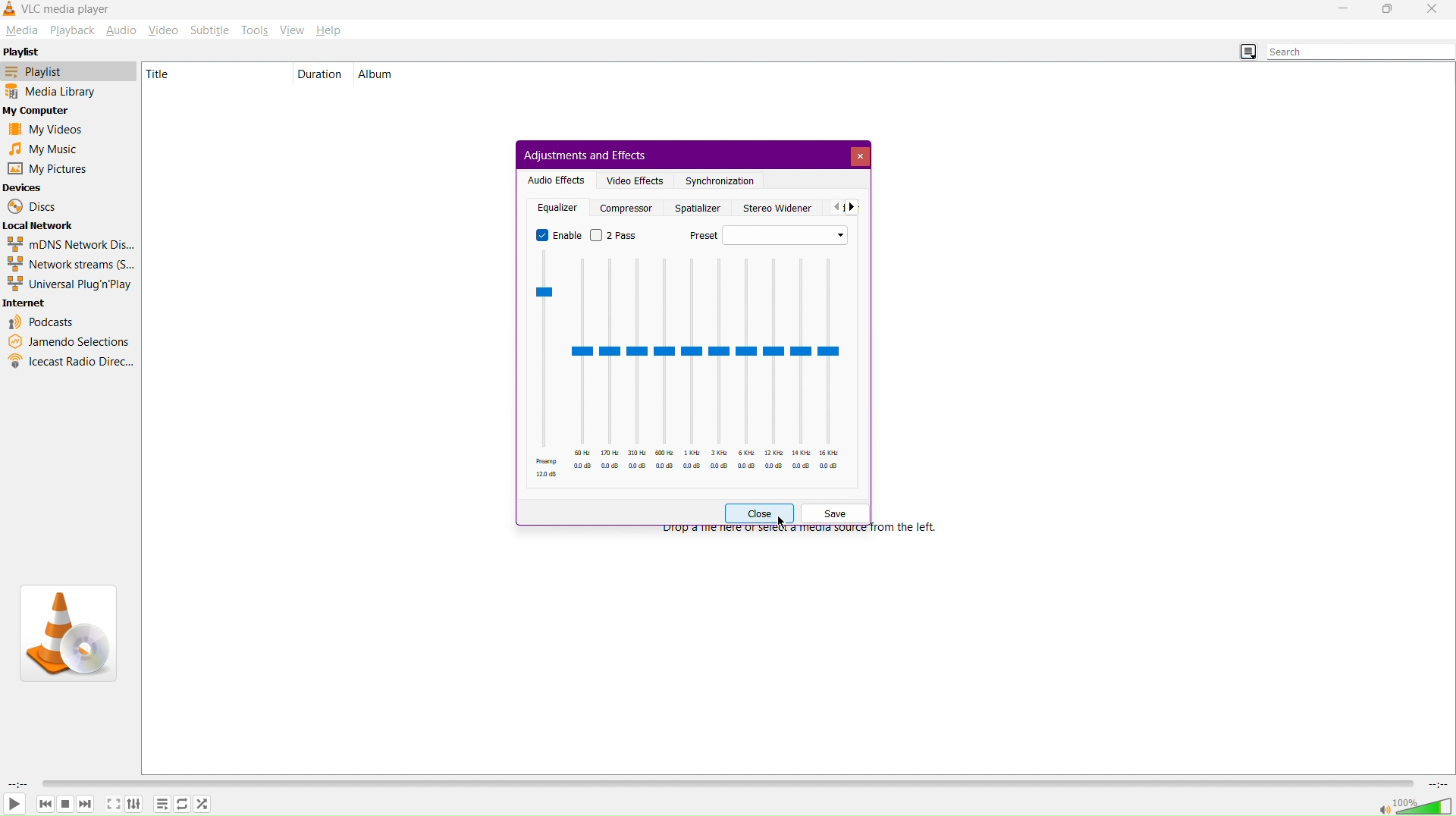 The image size is (1456, 816). I want to click on Save, so click(836, 513).